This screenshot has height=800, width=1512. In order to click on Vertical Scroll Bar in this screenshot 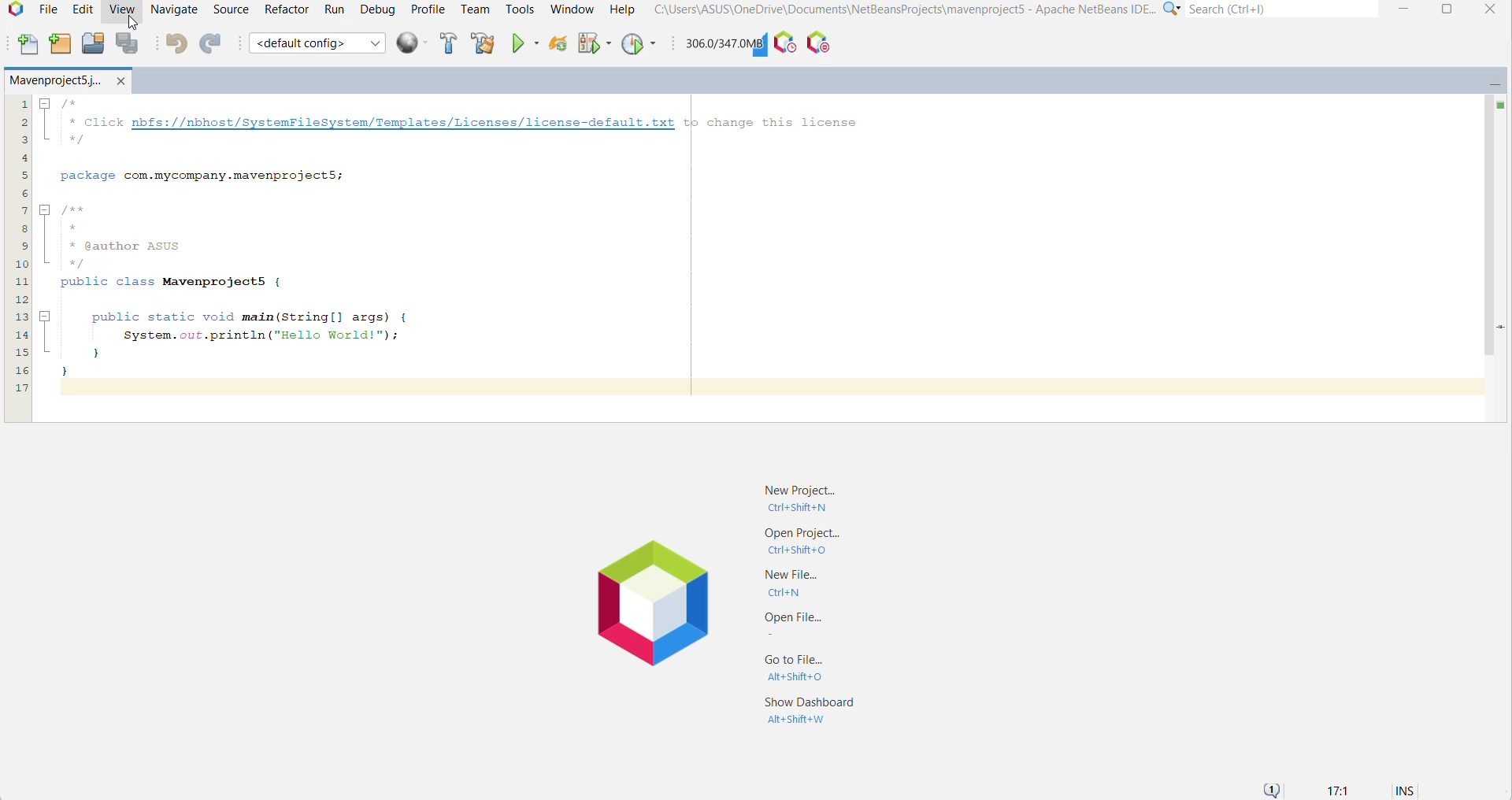, I will do `click(1485, 257)`.